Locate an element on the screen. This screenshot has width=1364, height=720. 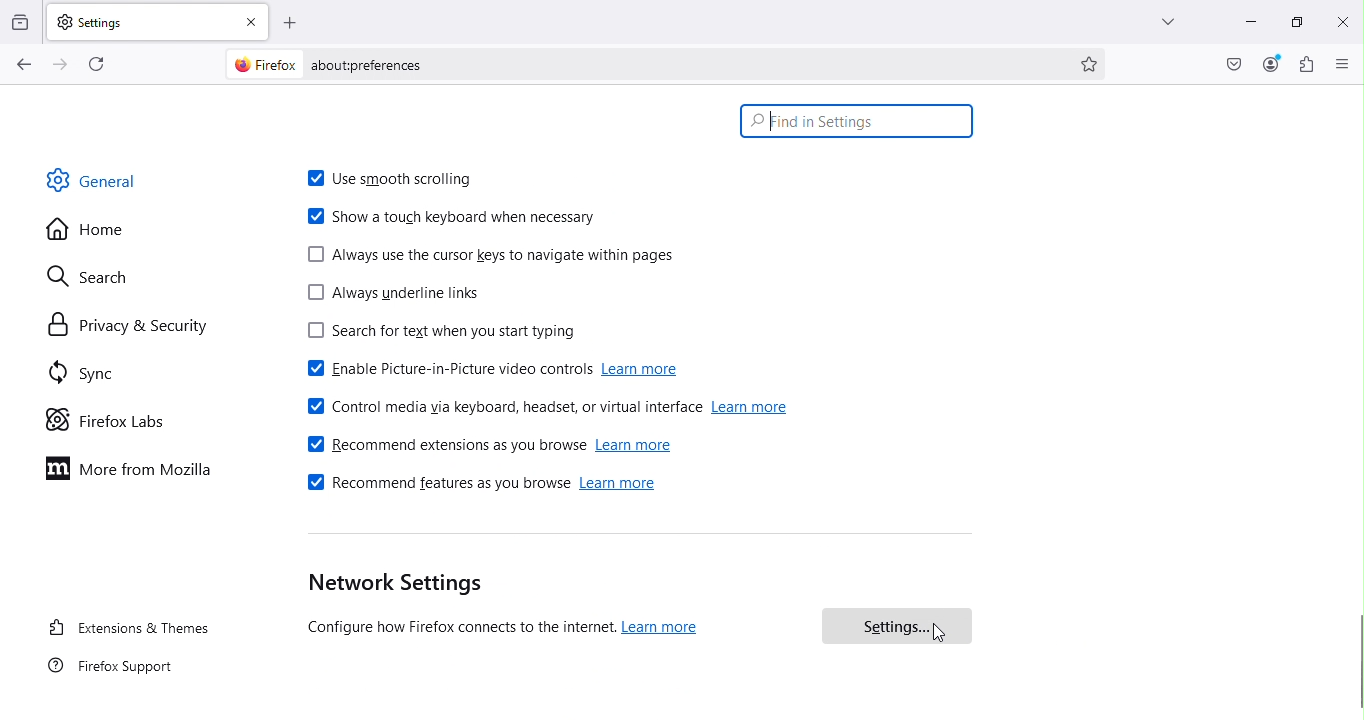
learn more is located at coordinates (635, 446).